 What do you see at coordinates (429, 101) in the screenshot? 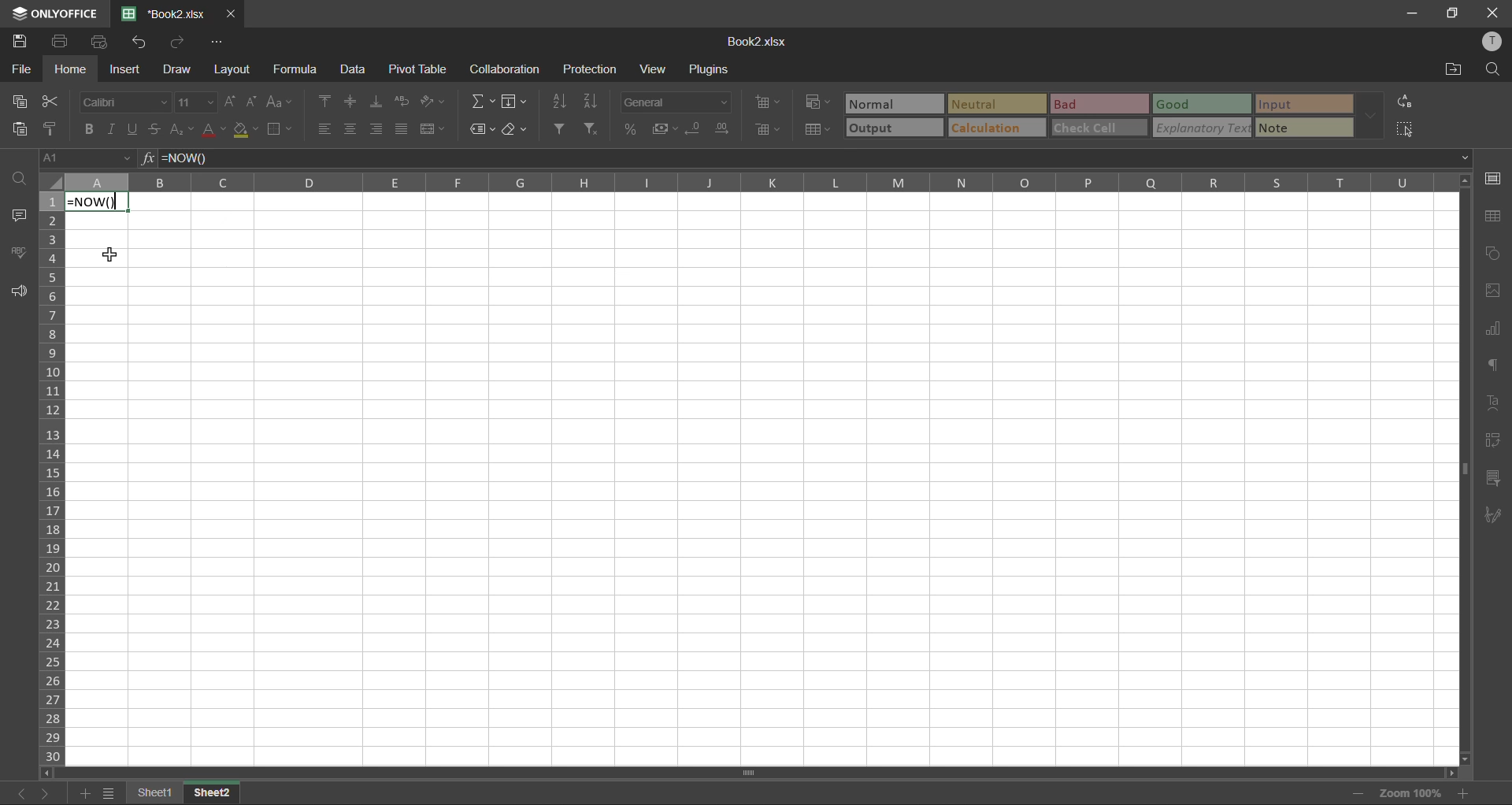
I see `orientation` at bounding box center [429, 101].